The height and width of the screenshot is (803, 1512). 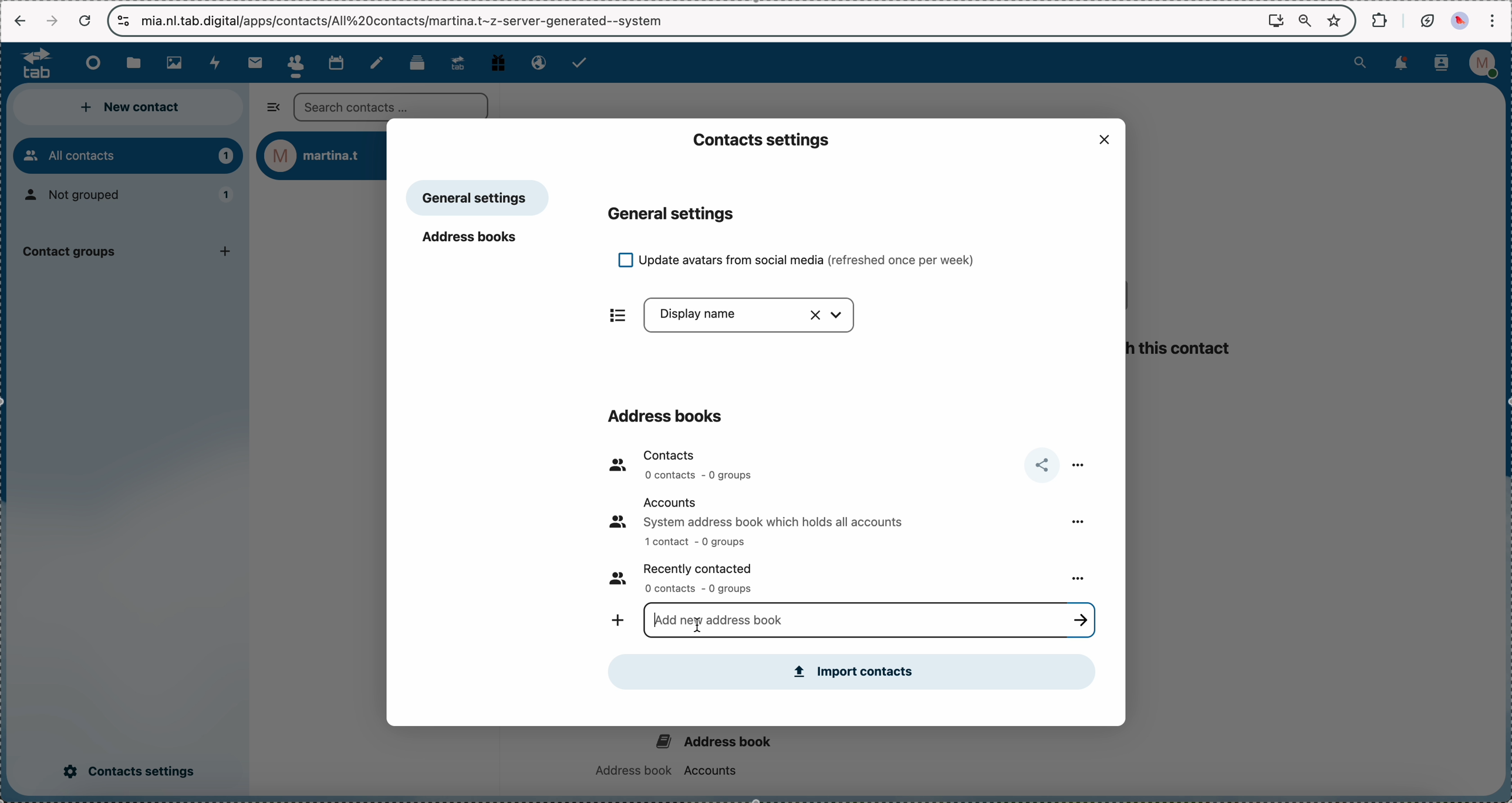 What do you see at coordinates (497, 61) in the screenshot?
I see `free track` at bounding box center [497, 61].